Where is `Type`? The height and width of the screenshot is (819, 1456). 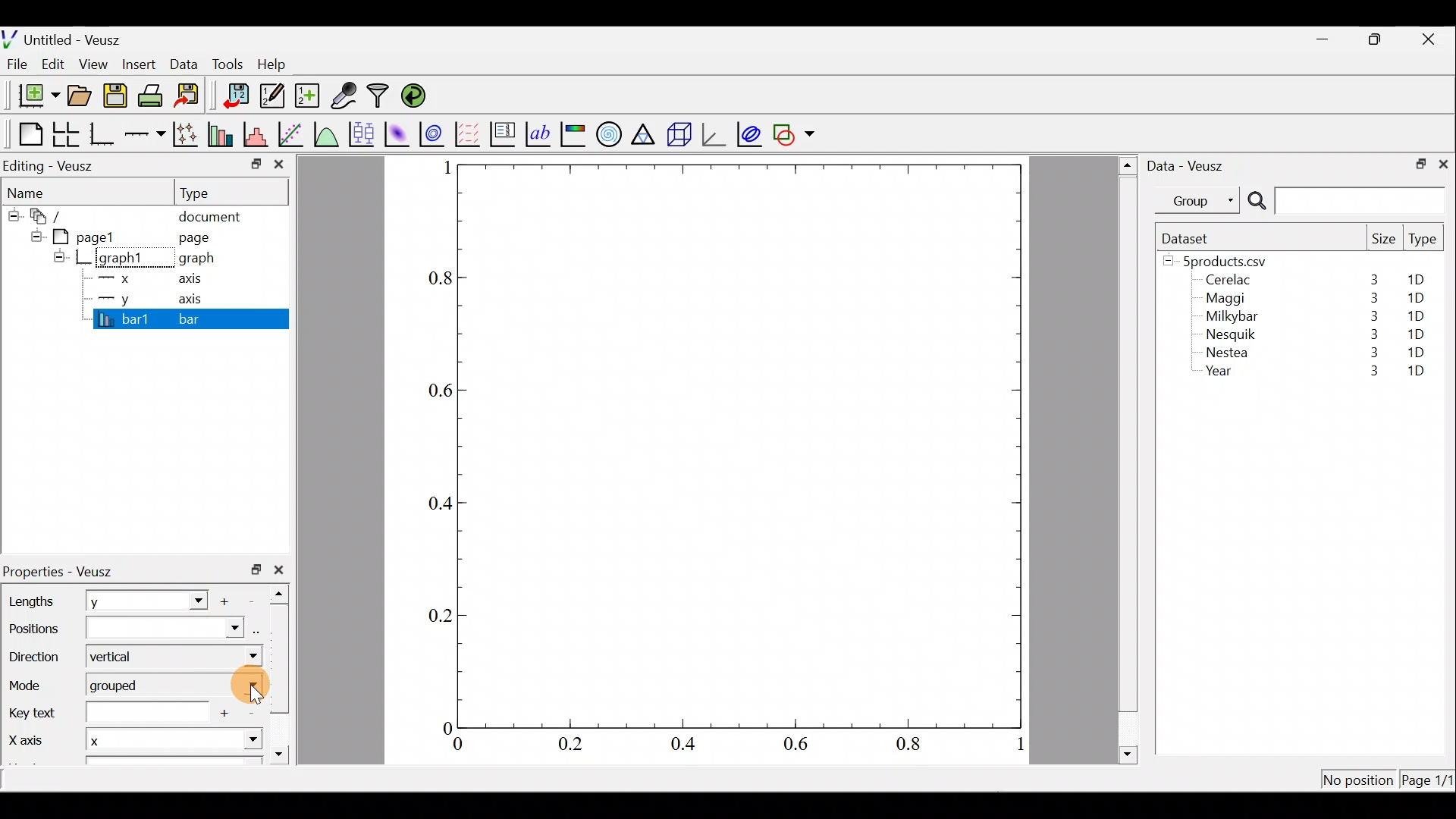
Type is located at coordinates (209, 192).